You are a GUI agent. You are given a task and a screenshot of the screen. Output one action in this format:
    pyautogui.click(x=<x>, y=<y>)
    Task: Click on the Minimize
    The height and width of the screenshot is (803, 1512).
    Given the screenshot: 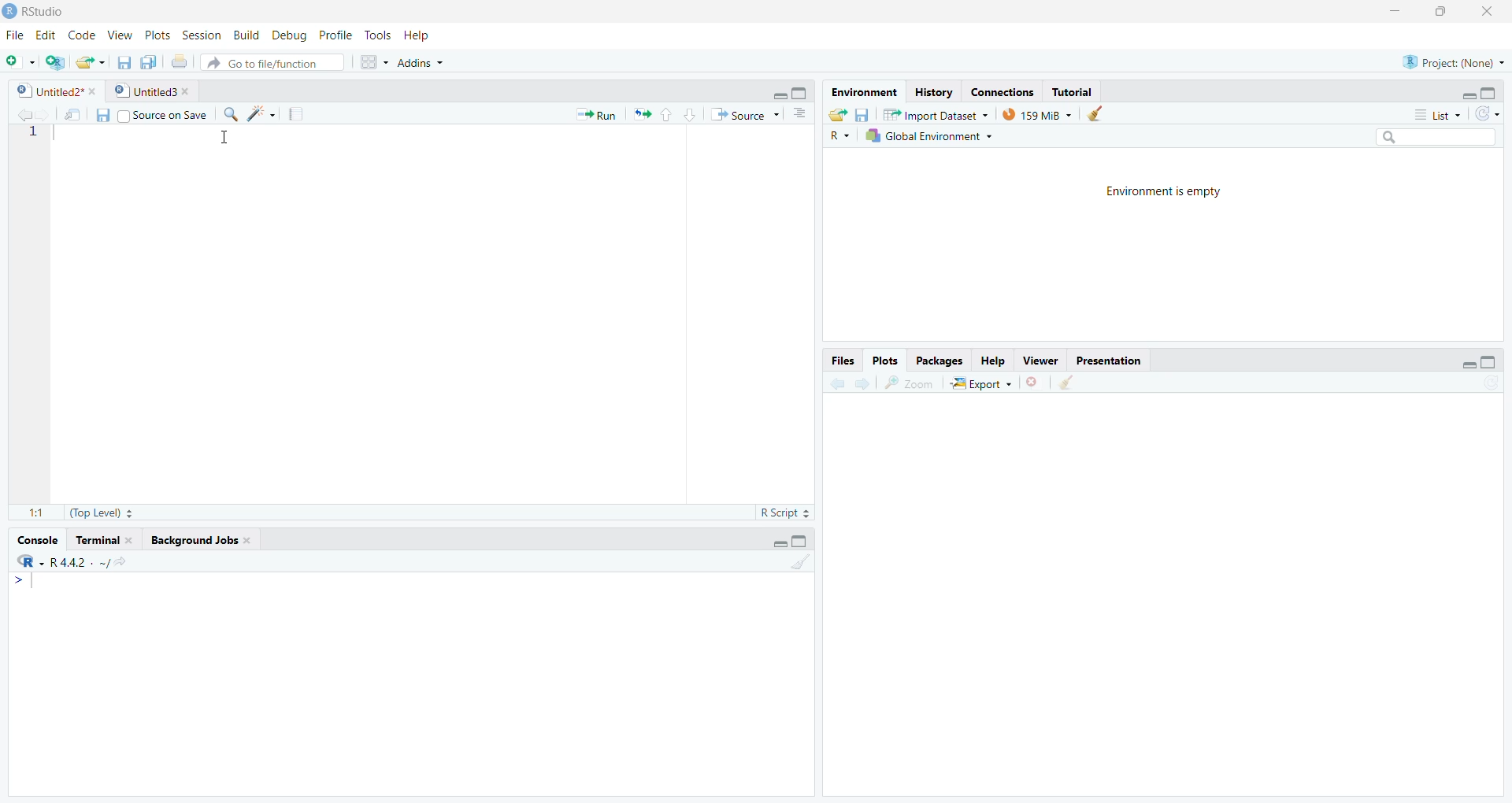 What is the action you would take?
    pyautogui.click(x=1397, y=12)
    